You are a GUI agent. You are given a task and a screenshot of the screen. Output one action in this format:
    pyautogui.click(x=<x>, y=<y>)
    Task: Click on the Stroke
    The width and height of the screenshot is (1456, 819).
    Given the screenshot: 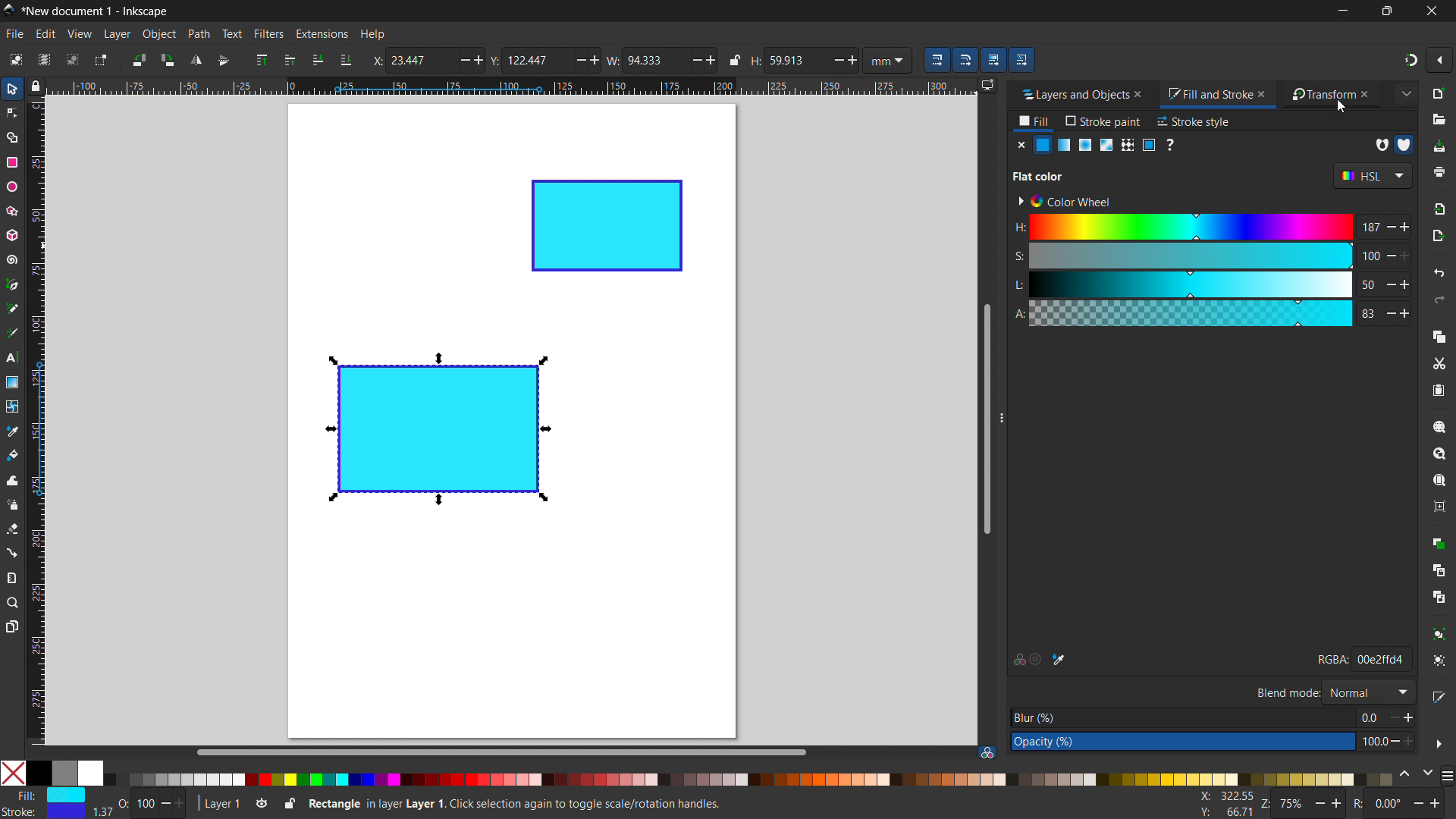 What is the action you would take?
    pyautogui.click(x=44, y=812)
    